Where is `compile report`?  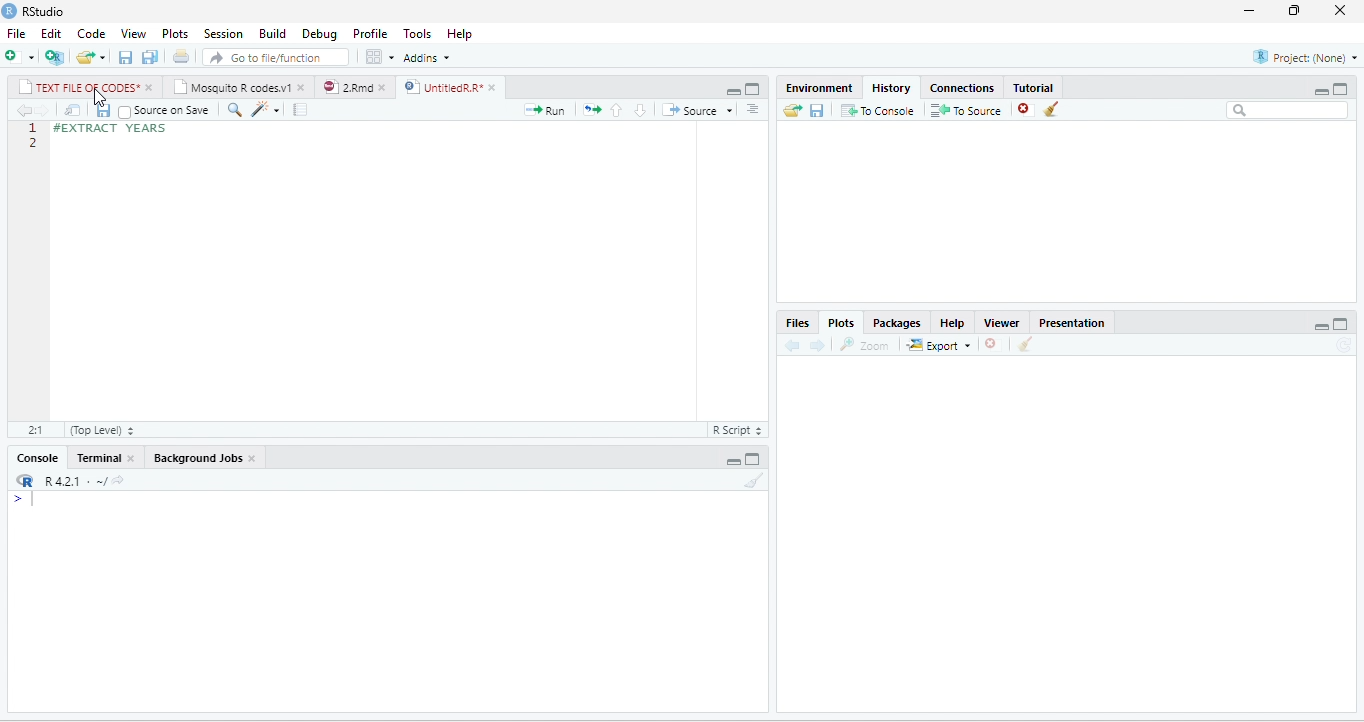
compile report is located at coordinates (300, 109).